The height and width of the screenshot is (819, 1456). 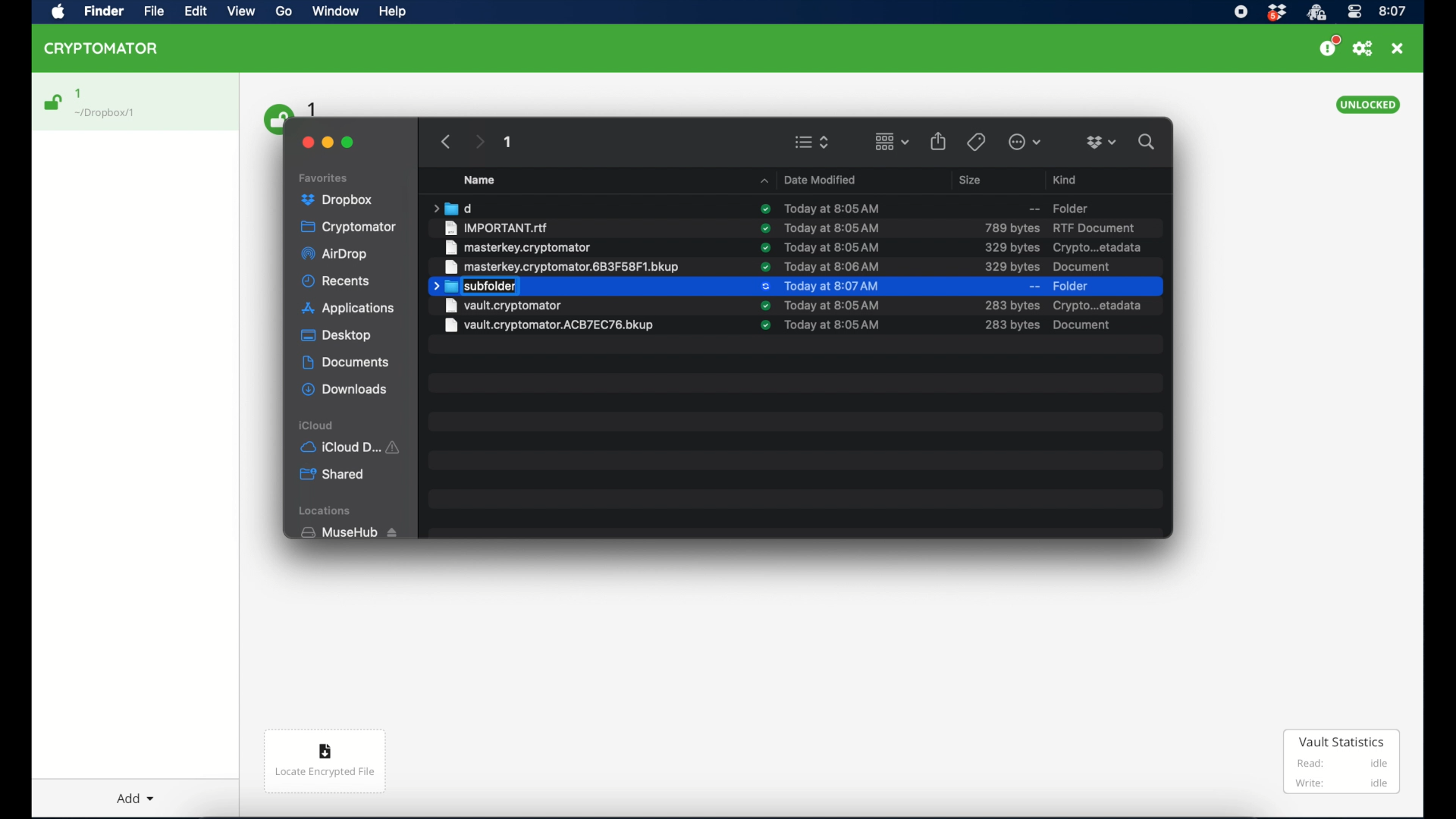 I want to click on rtf document, so click(x=1097, y=228).